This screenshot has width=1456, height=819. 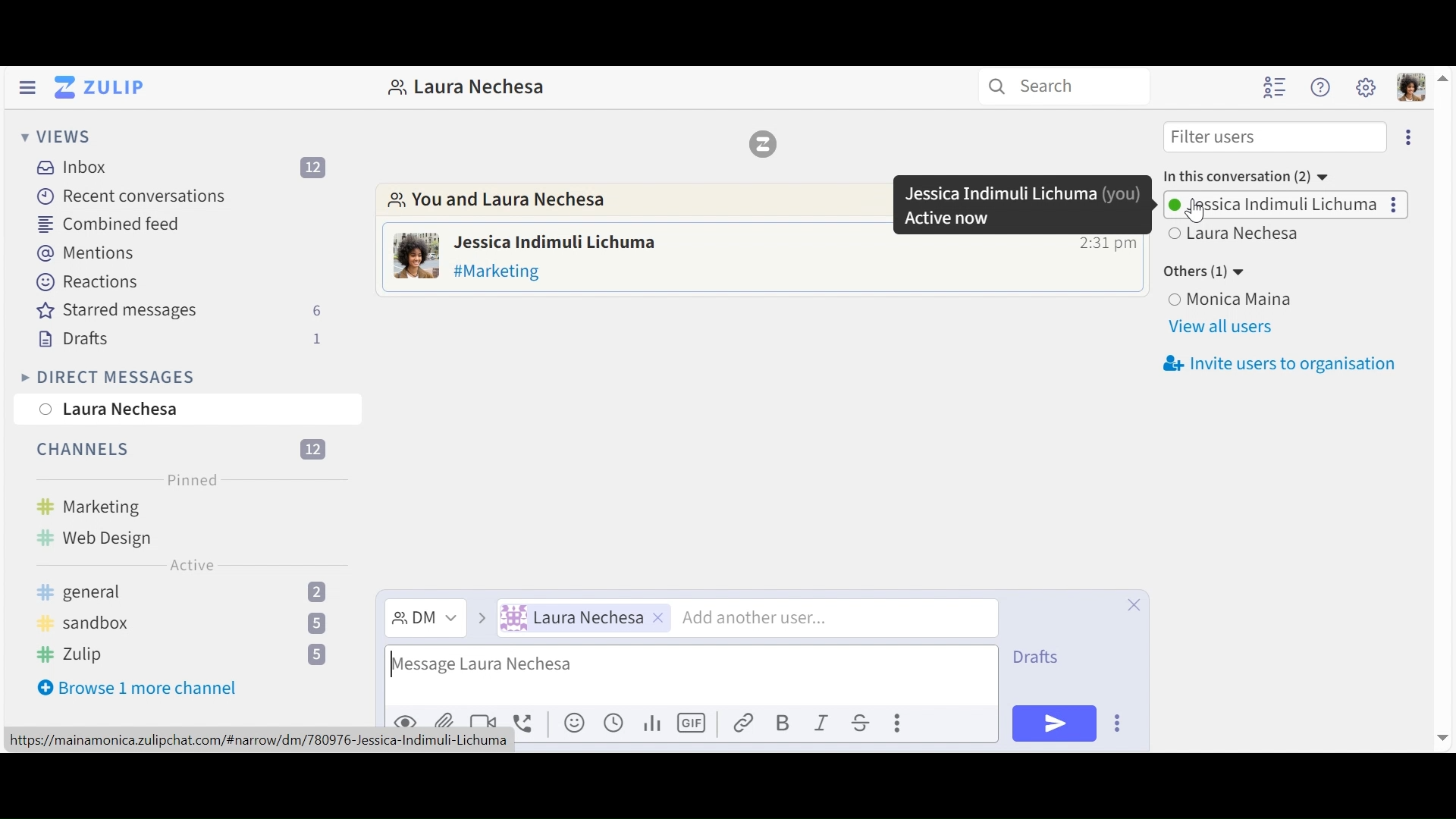 I want to click on Recent Conversation, so click(x=134, y=198).